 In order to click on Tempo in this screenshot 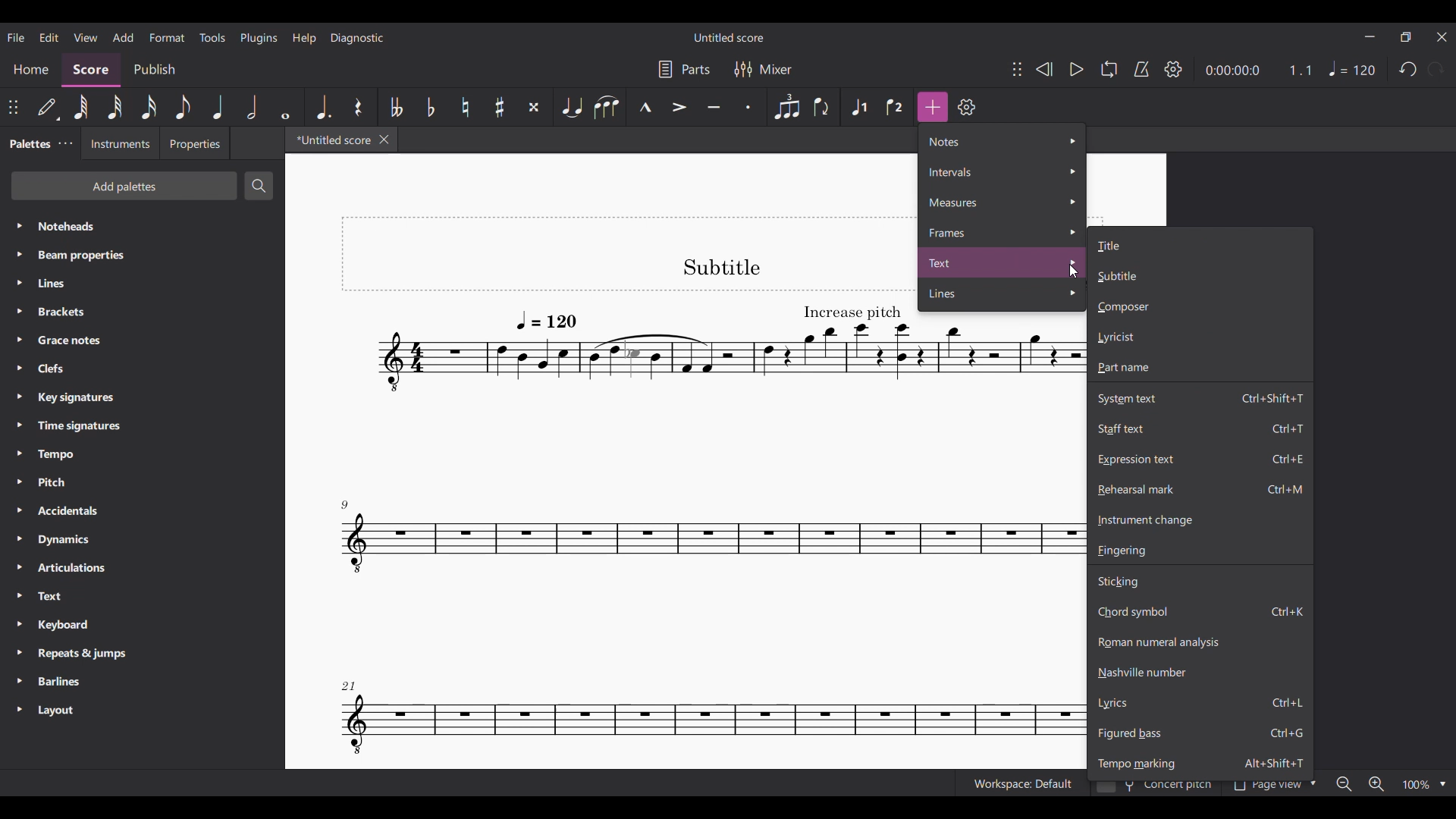, I will do `click(1353, 68)`.